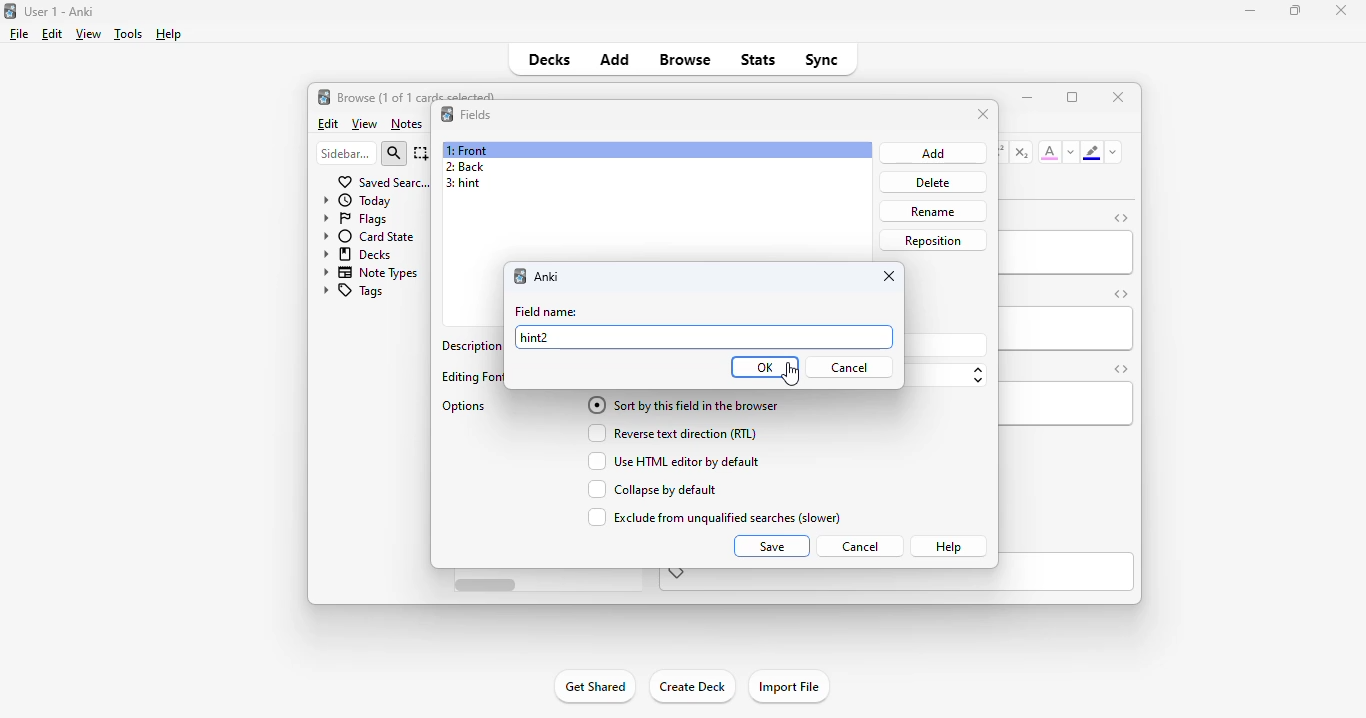  What do you see at coordinates (422, 153) in the screenshot?
I see `select` at bounding box center [422, 153].